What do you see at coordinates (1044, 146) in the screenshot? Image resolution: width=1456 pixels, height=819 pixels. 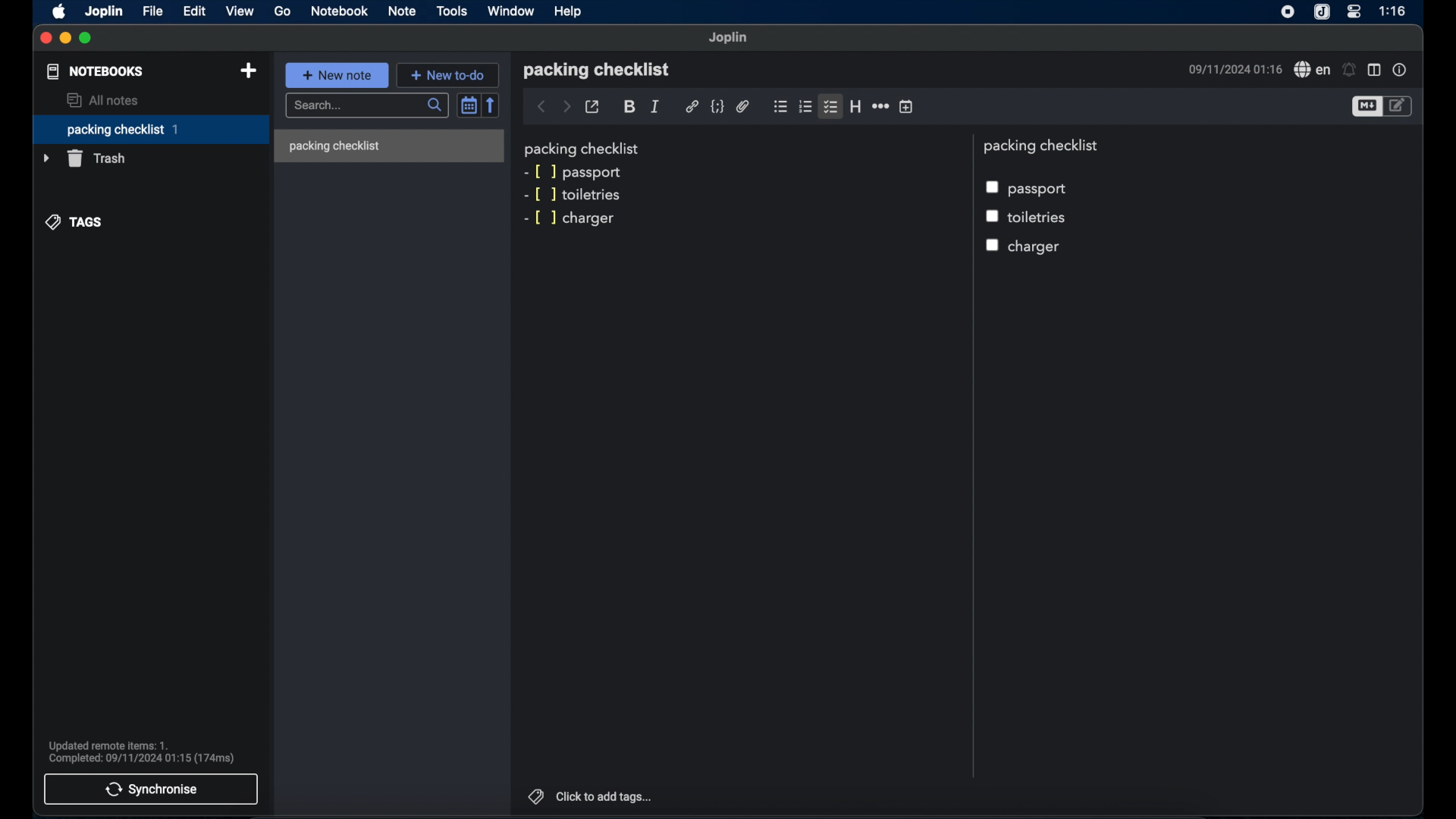 I see `packing checklist` at bounding box center [1044, 146].